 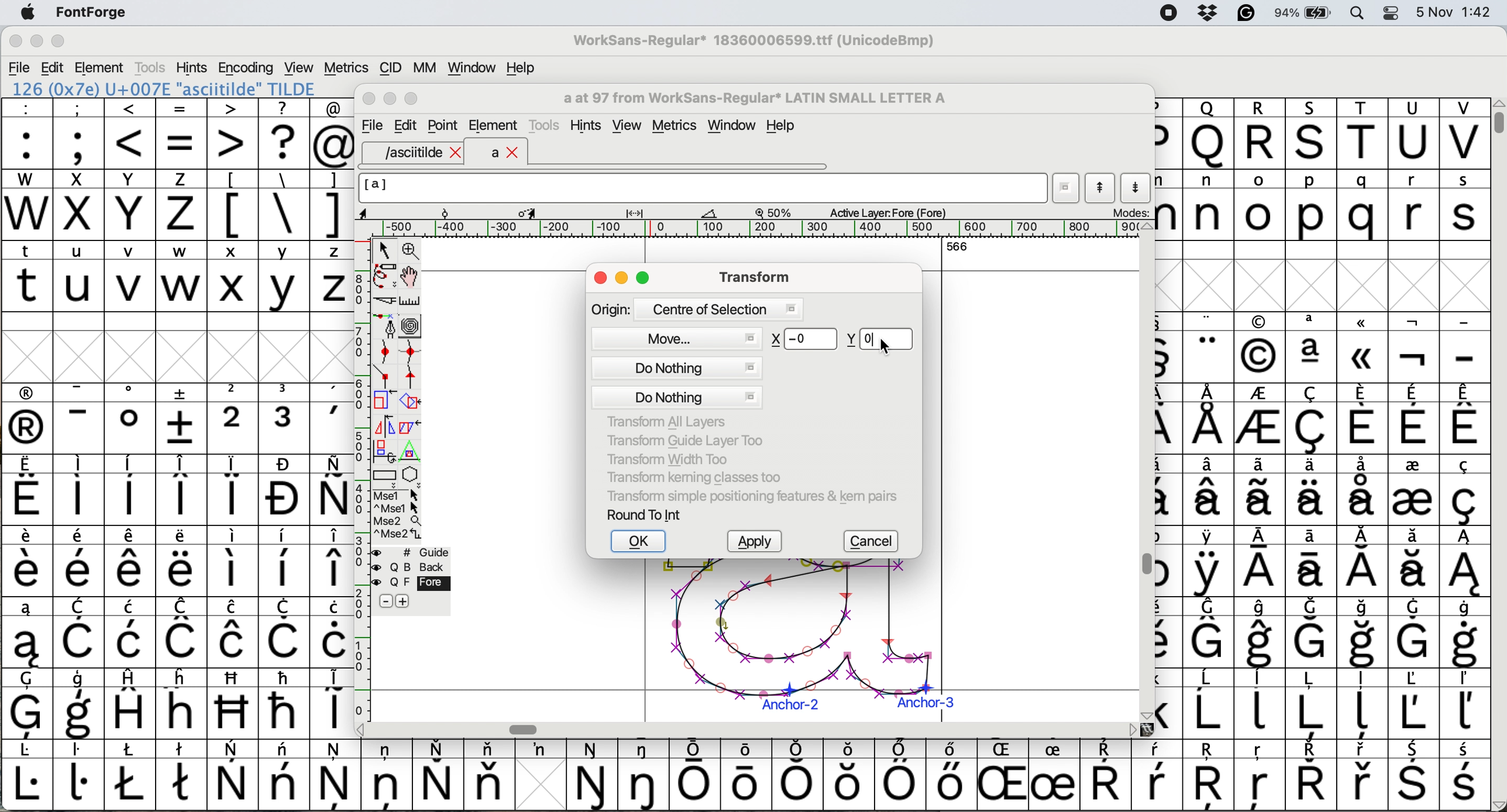 What do you see at coordinates (405, 125) in the screenshot?
I see `Edit` at bounding box center [405, 125].